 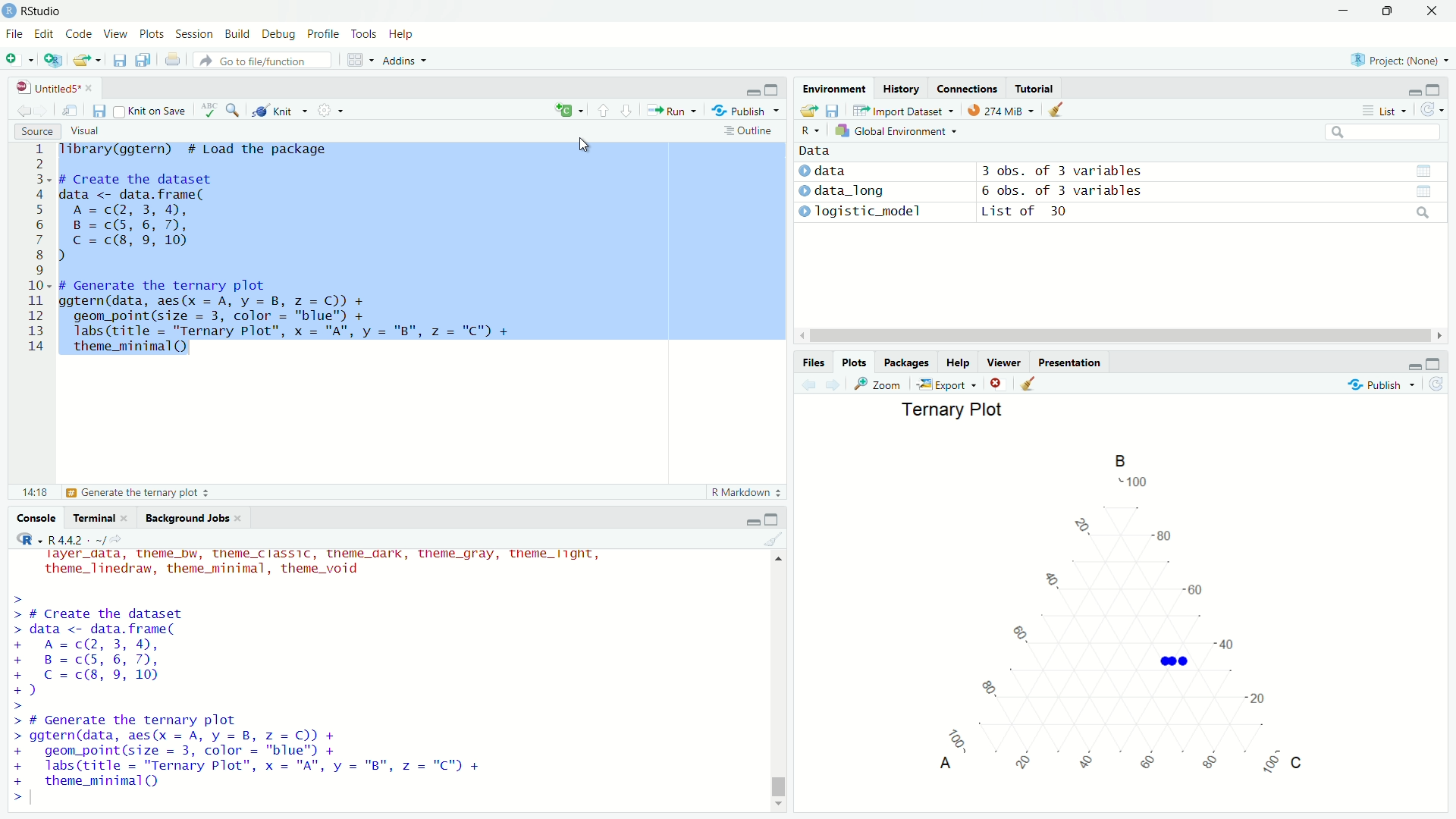 What do you see at coordinates (45, 33) in the screenshot?
I see `Edit` at bounding box center [45, 33].